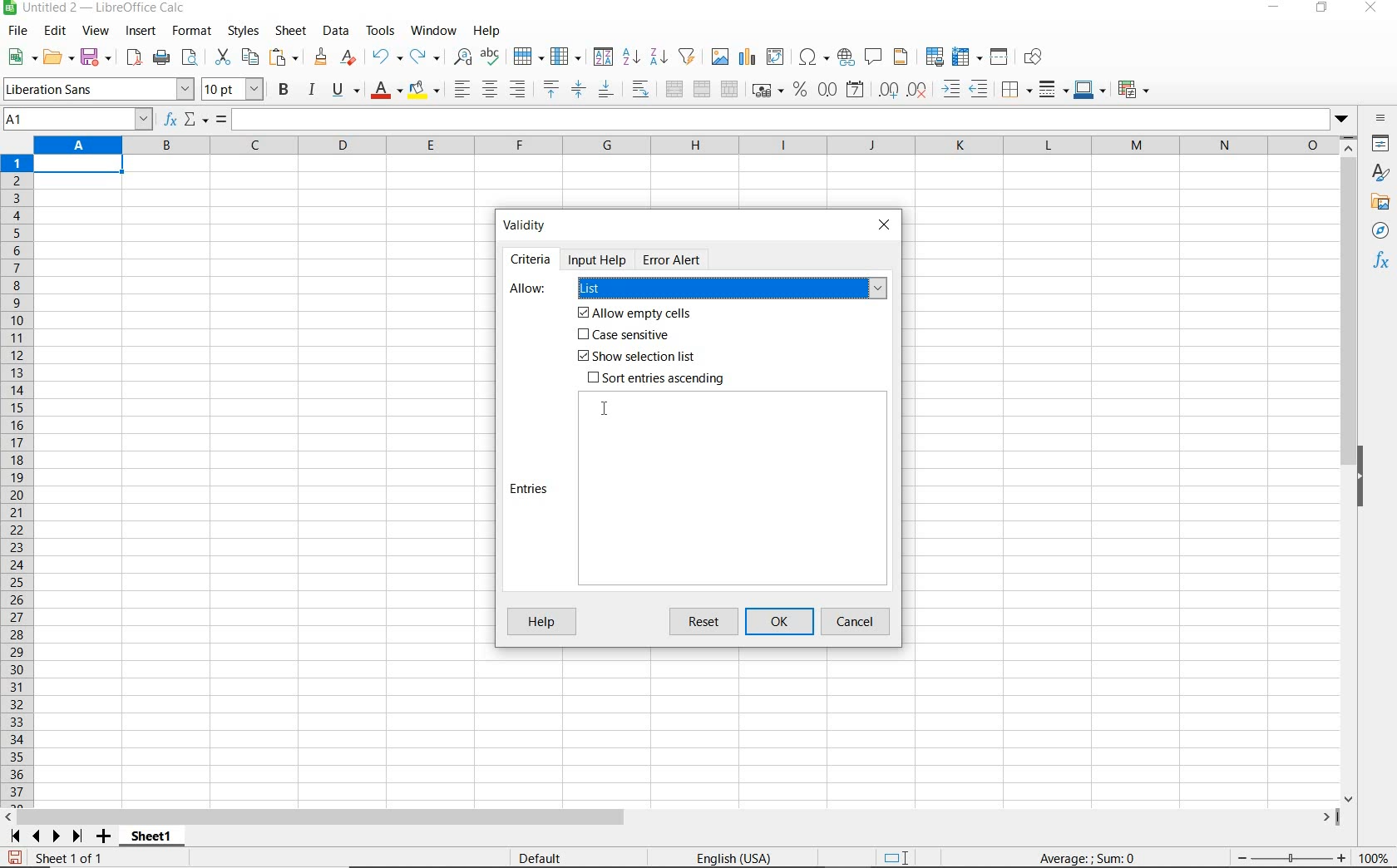 The height and width of the screenshot is (868, 1397). I want to click on window, so click(433, 28).